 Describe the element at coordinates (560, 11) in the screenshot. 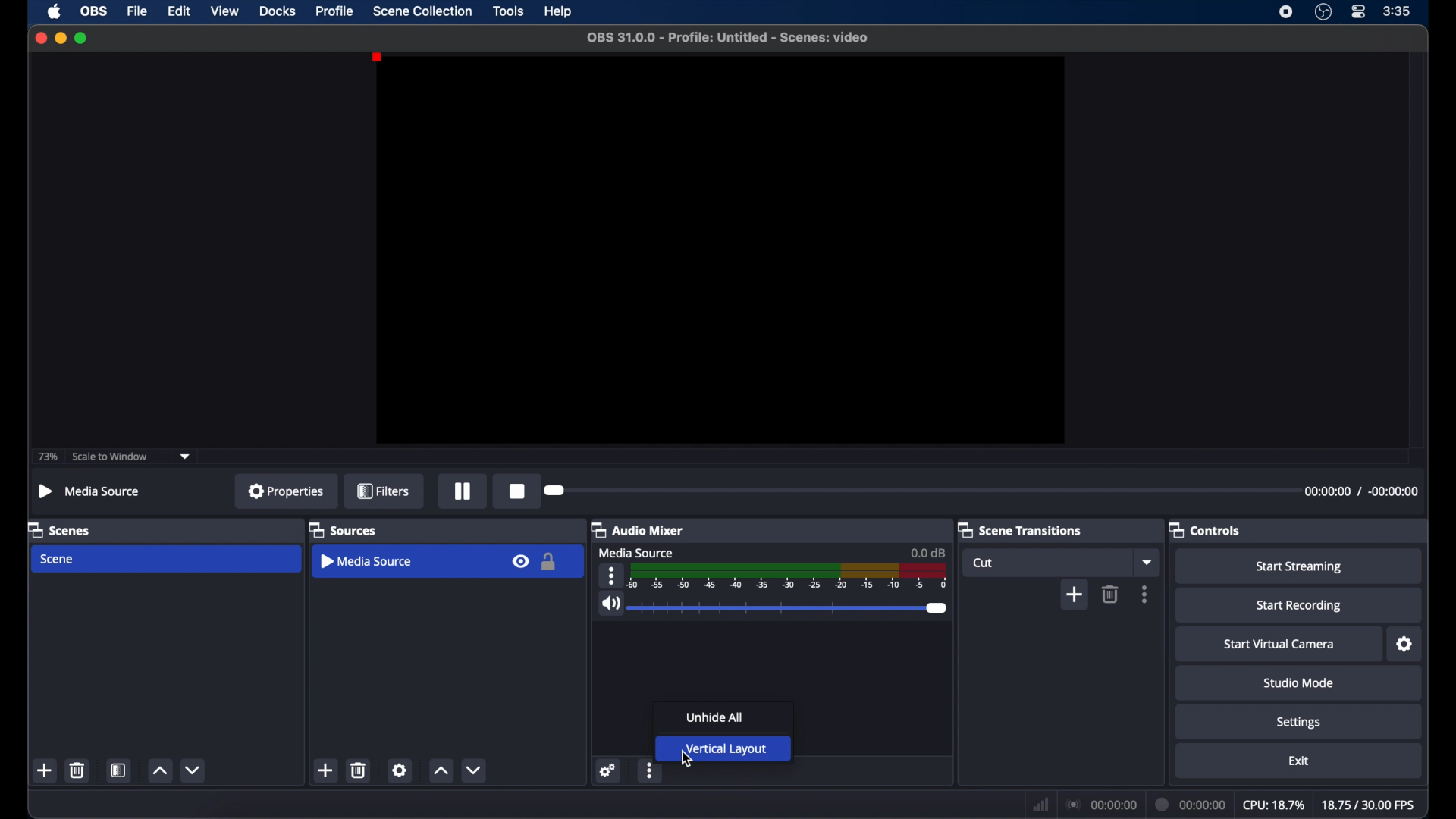

I see `help` at that location.